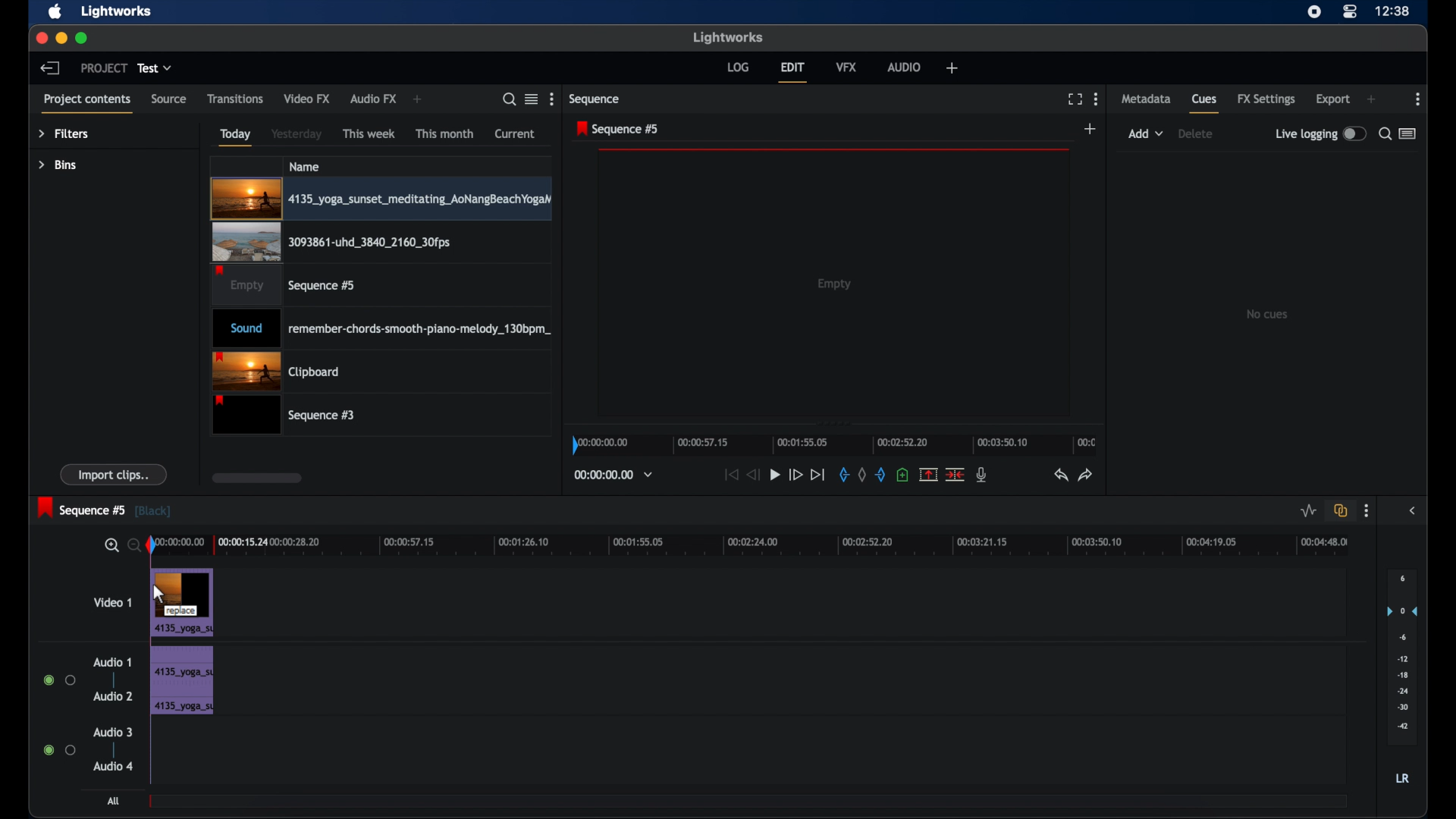 The height and width of the screenshot is (819, 1456). Describe the element at coordinates (1371, 99) in the screenshot. I see `add` at that location.